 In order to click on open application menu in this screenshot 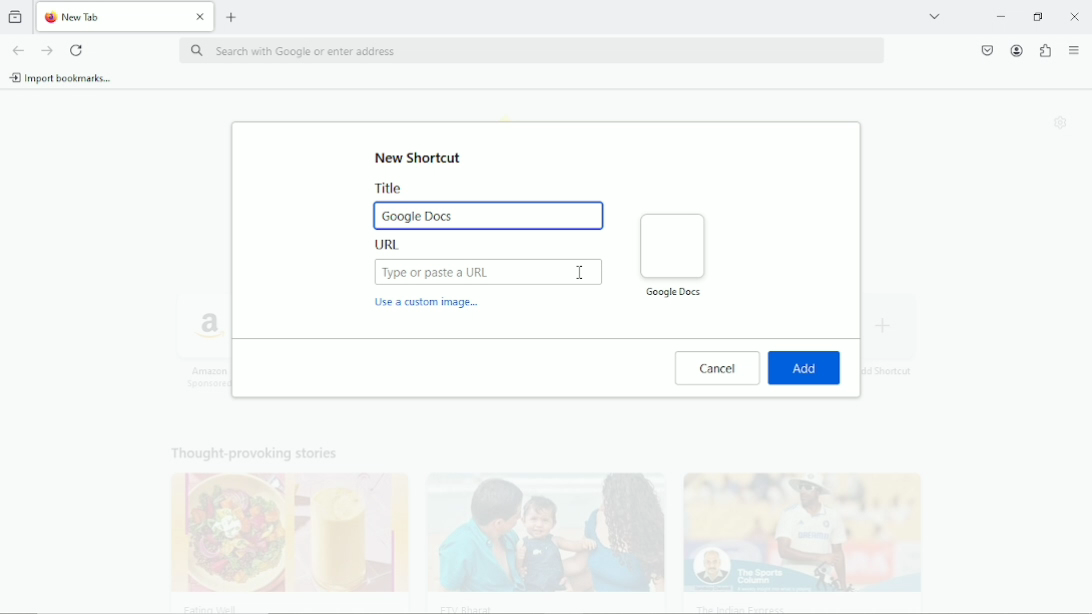, I will do `click(1074, 51)`.